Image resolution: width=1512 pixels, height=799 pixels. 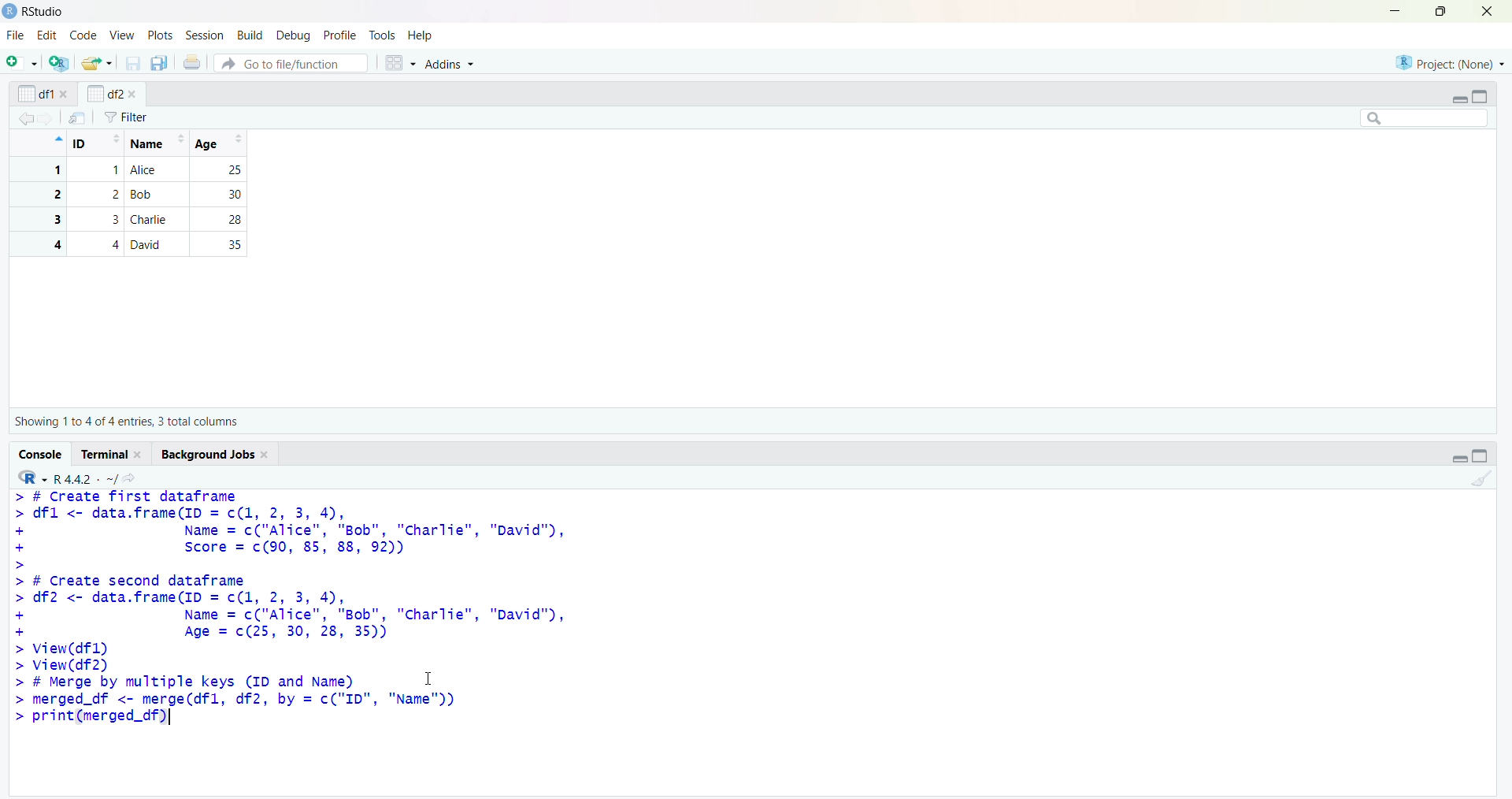 What do you see at coordinates (135, 219) in the screenshot?
I see `3 3 Charlie 28` at bounding box center [135, 219].